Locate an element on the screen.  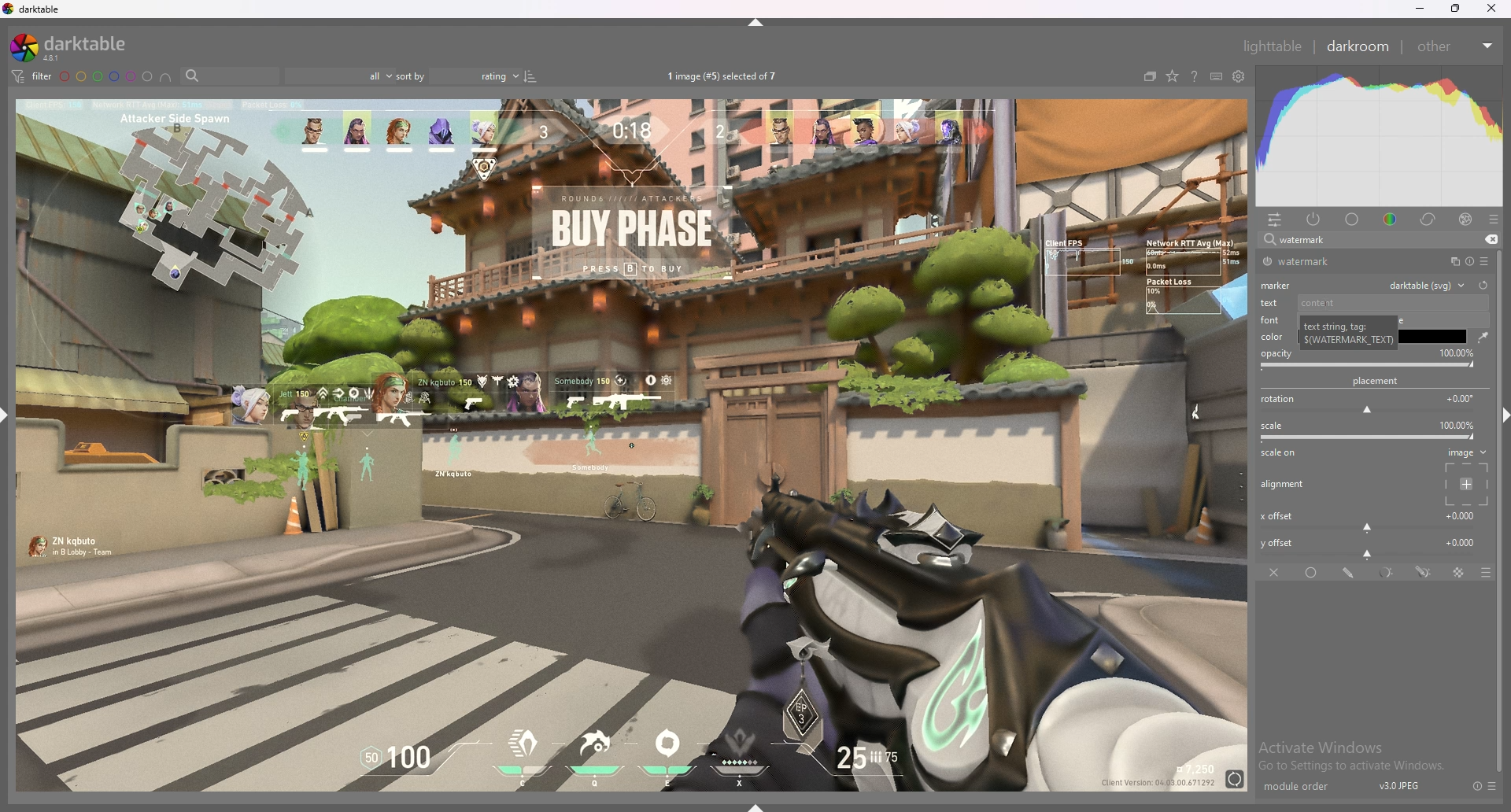
parametric mask is located at coordinates (1388, 573).